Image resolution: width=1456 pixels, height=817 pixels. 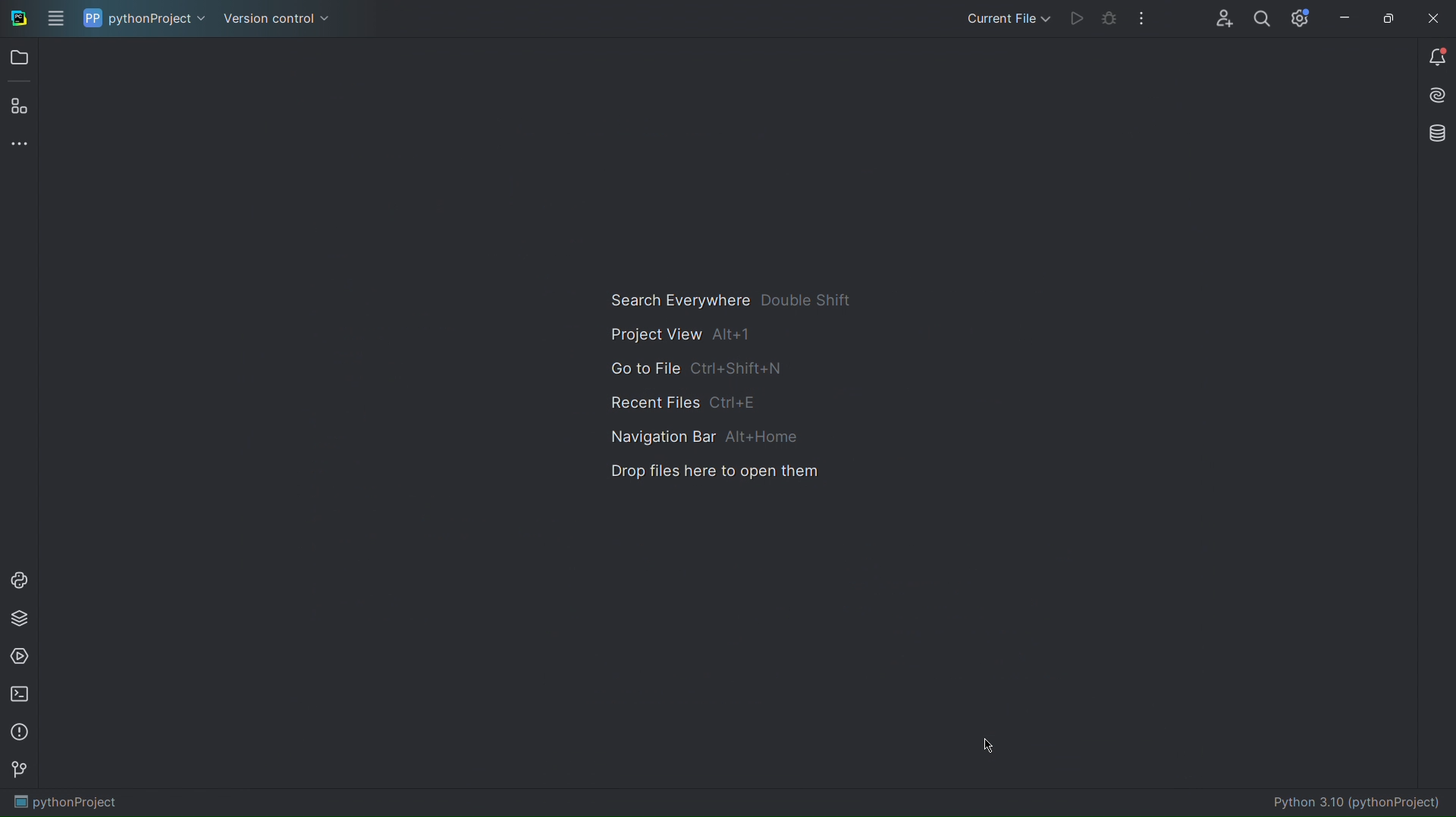 What do you see at coordinates (19, 694) in the screenshot?
I see `Terminal` at bounding box center [19, 694].